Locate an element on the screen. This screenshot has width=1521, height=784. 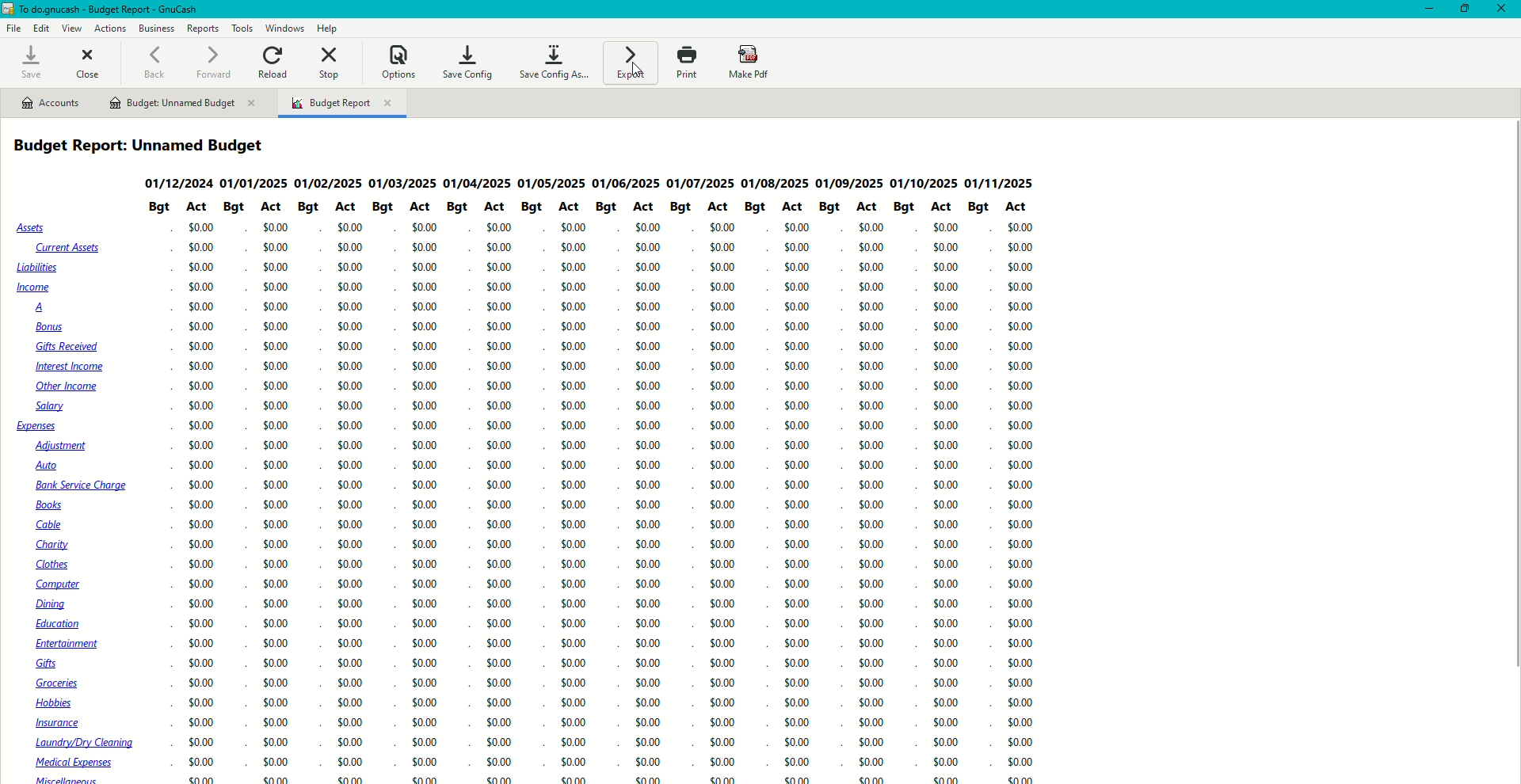
0.00 is located at coordinates (349, 246).